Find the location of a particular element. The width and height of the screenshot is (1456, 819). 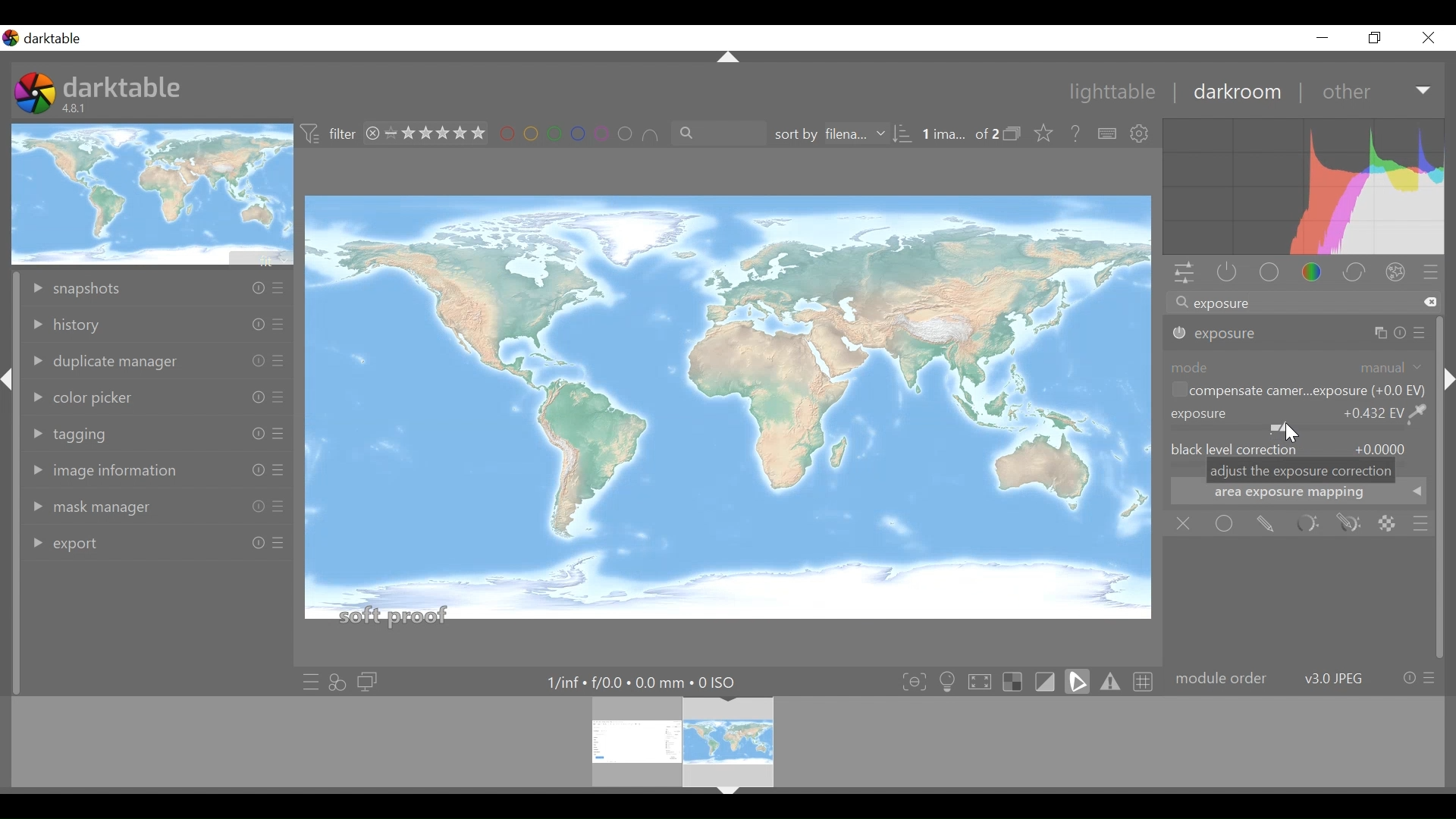

 is located at coordinates (726, 58).